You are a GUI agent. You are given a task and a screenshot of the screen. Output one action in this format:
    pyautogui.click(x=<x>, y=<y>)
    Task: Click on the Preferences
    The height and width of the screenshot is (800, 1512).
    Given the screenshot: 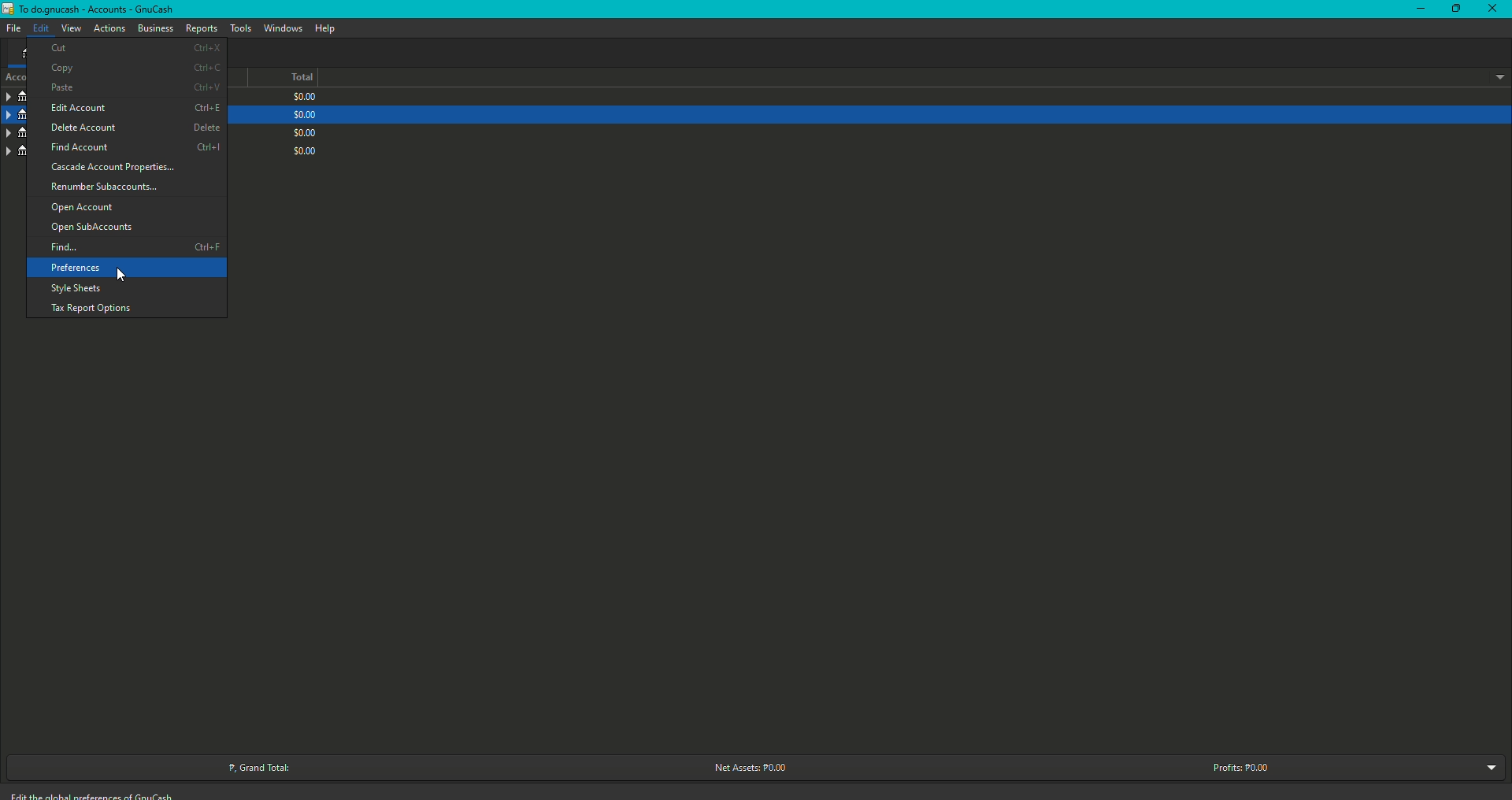 What is the action you would take?
    pyautogui.click(x=77, y=269)
    